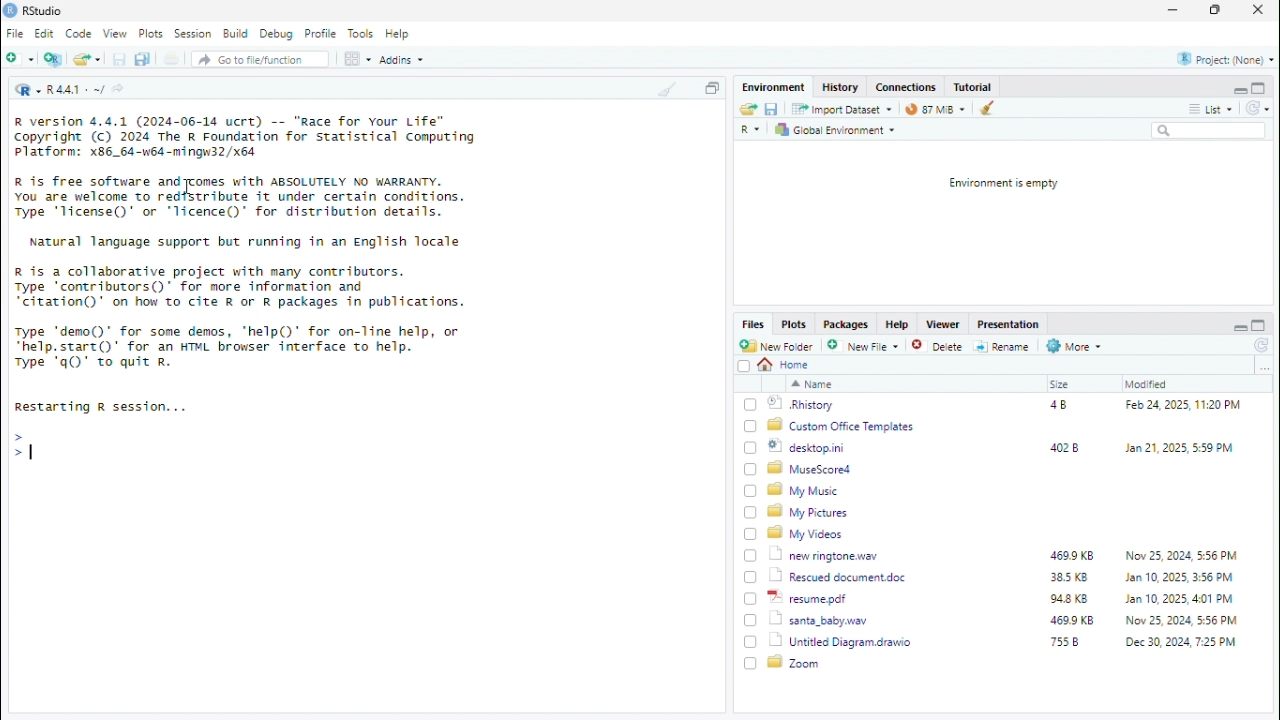 The width and height of the screenshot is (1280, 720). Describe the element at coordinates (16, 452) in the screenshot. I see `arrow` at that location.